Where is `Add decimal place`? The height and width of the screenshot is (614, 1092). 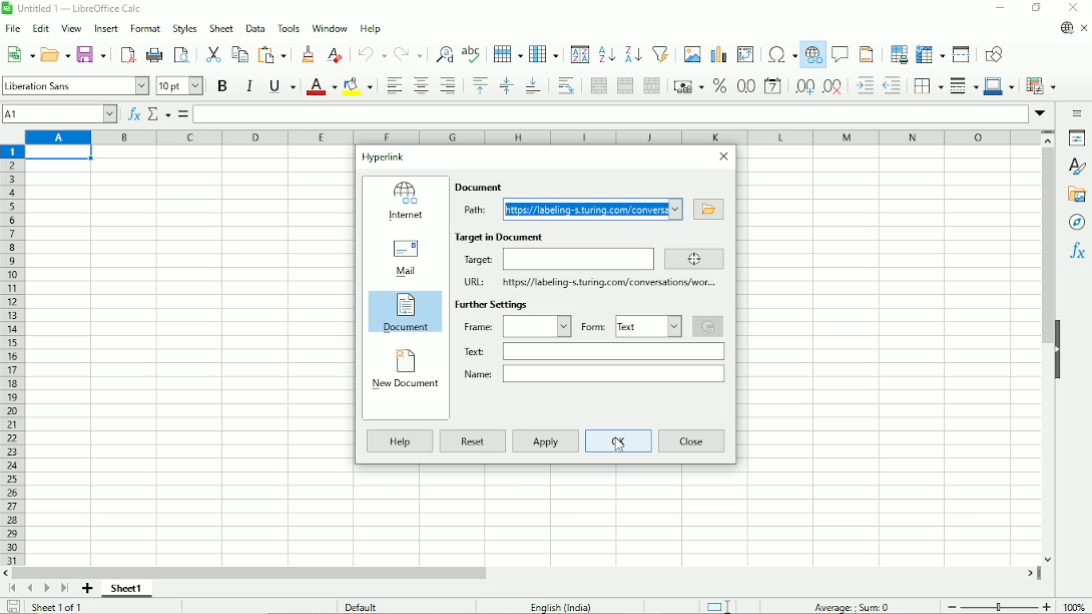
Add decimal place is located at coordinates (804, 88).